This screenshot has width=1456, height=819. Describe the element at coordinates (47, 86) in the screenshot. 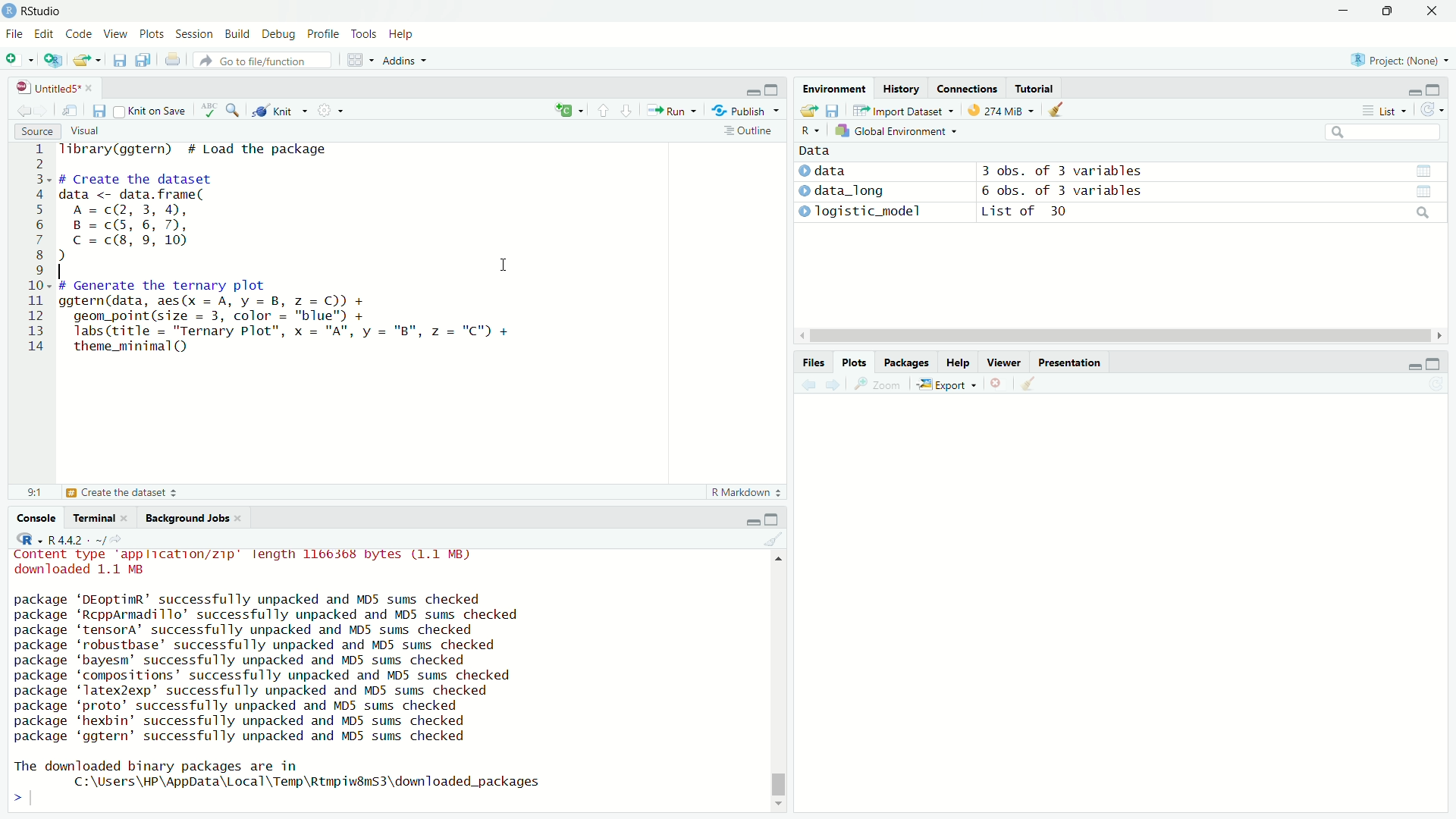

I see `) | UntitledS*` at that location.